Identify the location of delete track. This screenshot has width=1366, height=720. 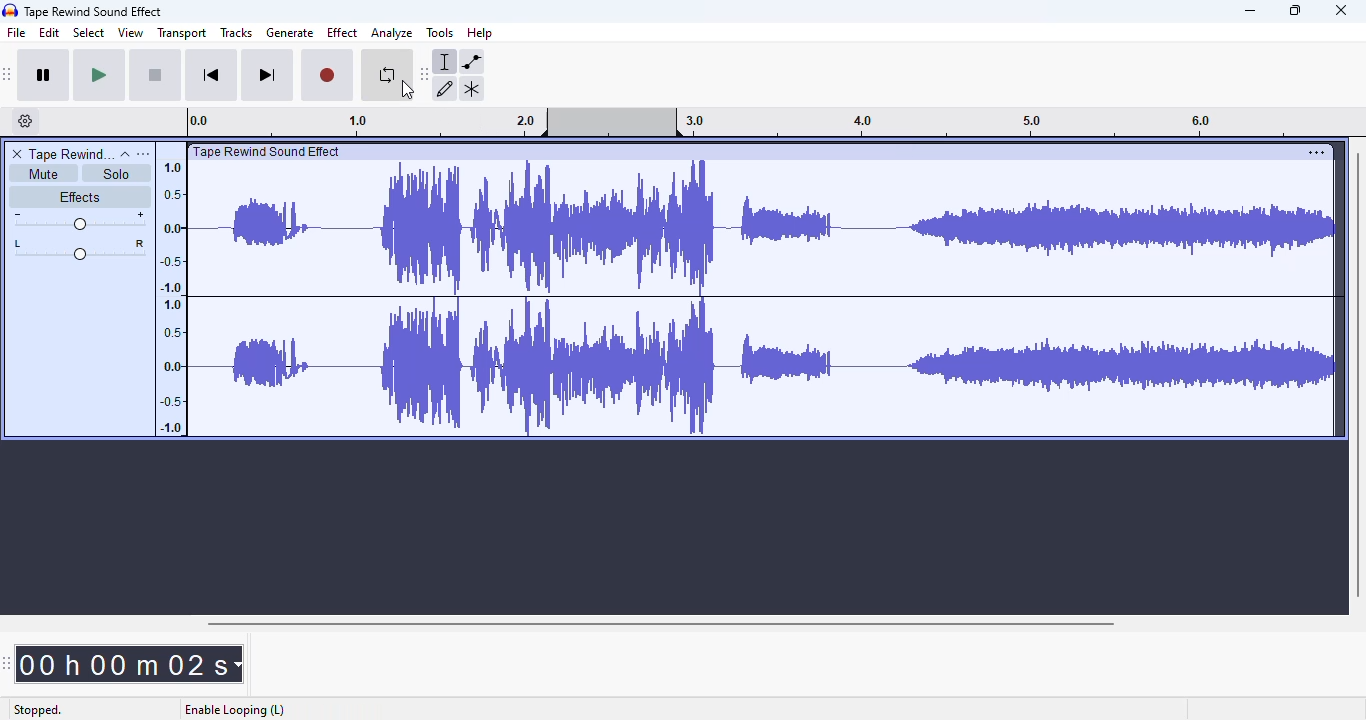
(17, 153).